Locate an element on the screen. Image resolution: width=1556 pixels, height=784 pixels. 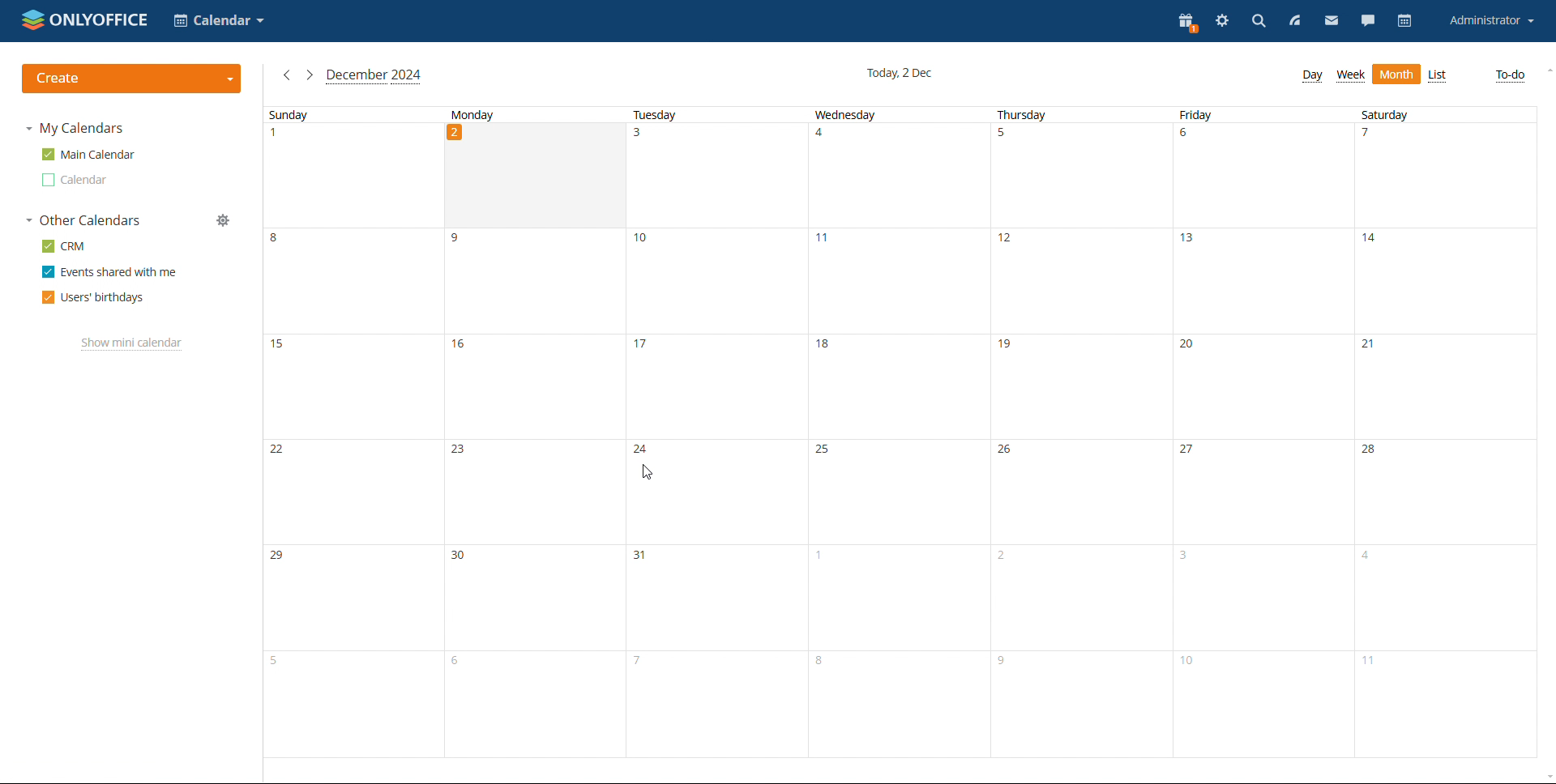
10 is located at coordinates (645, 241).